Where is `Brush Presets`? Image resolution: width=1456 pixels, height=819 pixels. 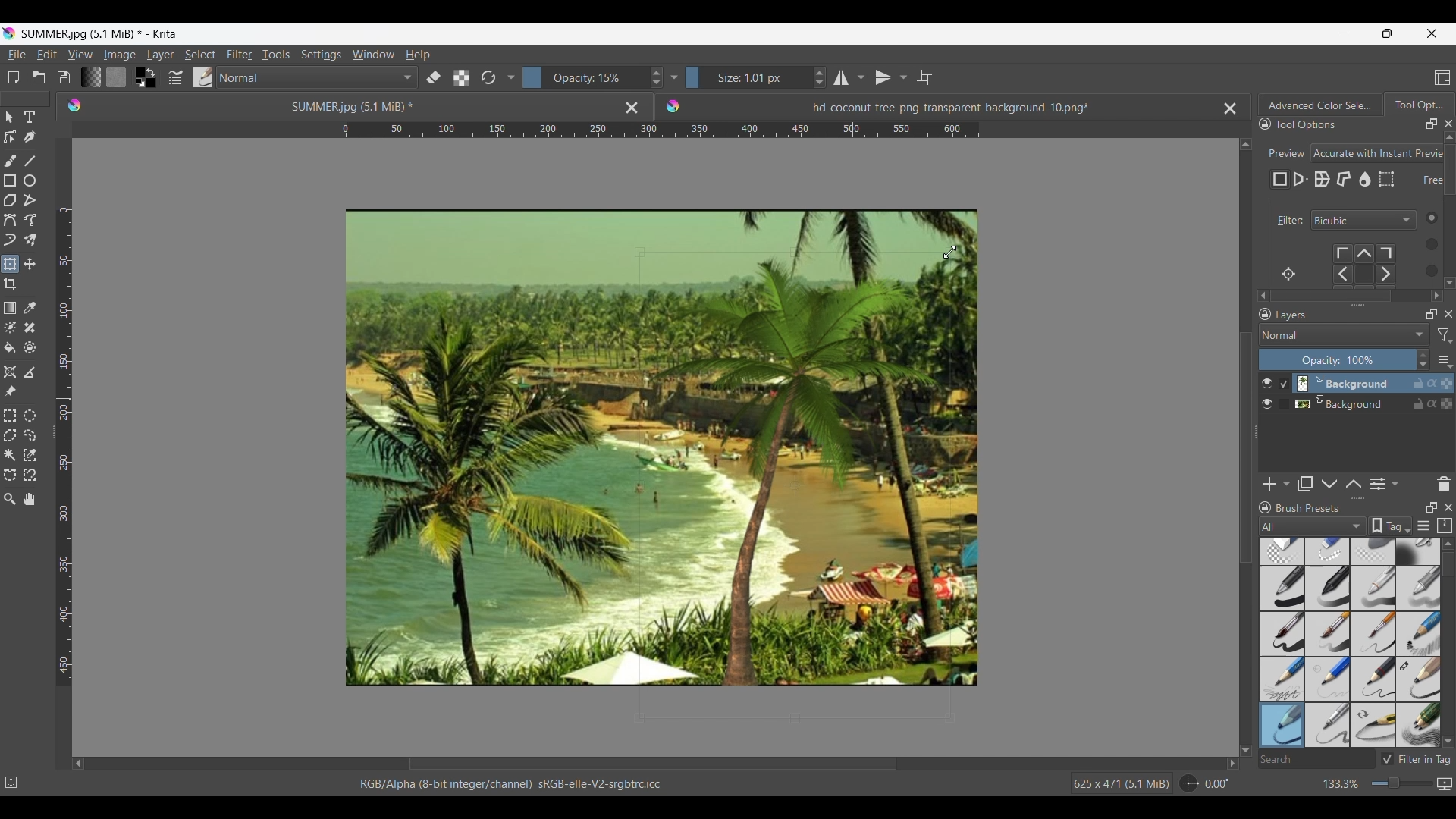
Brush Presets is located at coordinates (1314, 508).